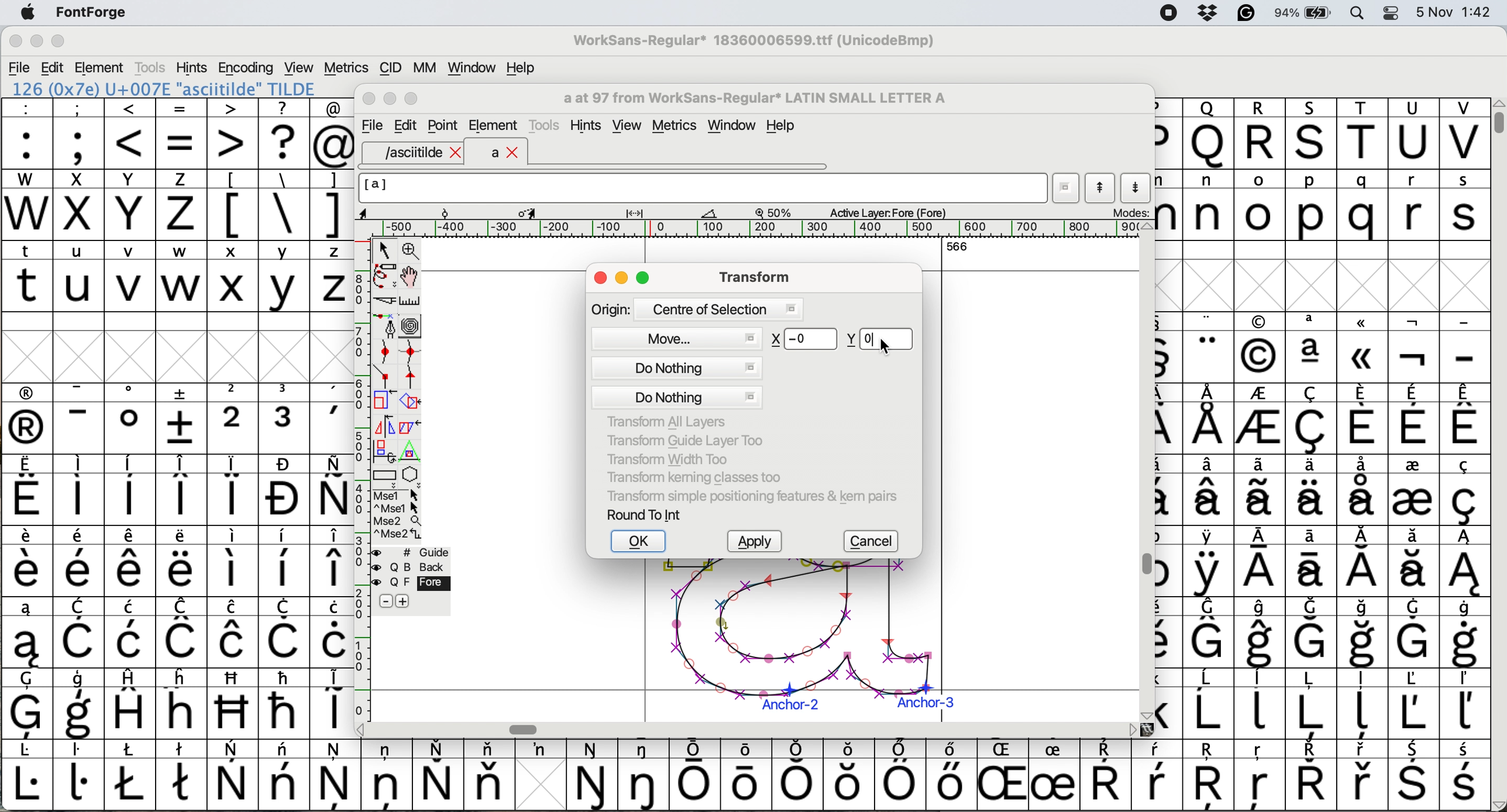 This screenshot has width=1507, height=812. Describe the element at coordinates (1414, 776) in the screenshot. I see `symbol` at that location.